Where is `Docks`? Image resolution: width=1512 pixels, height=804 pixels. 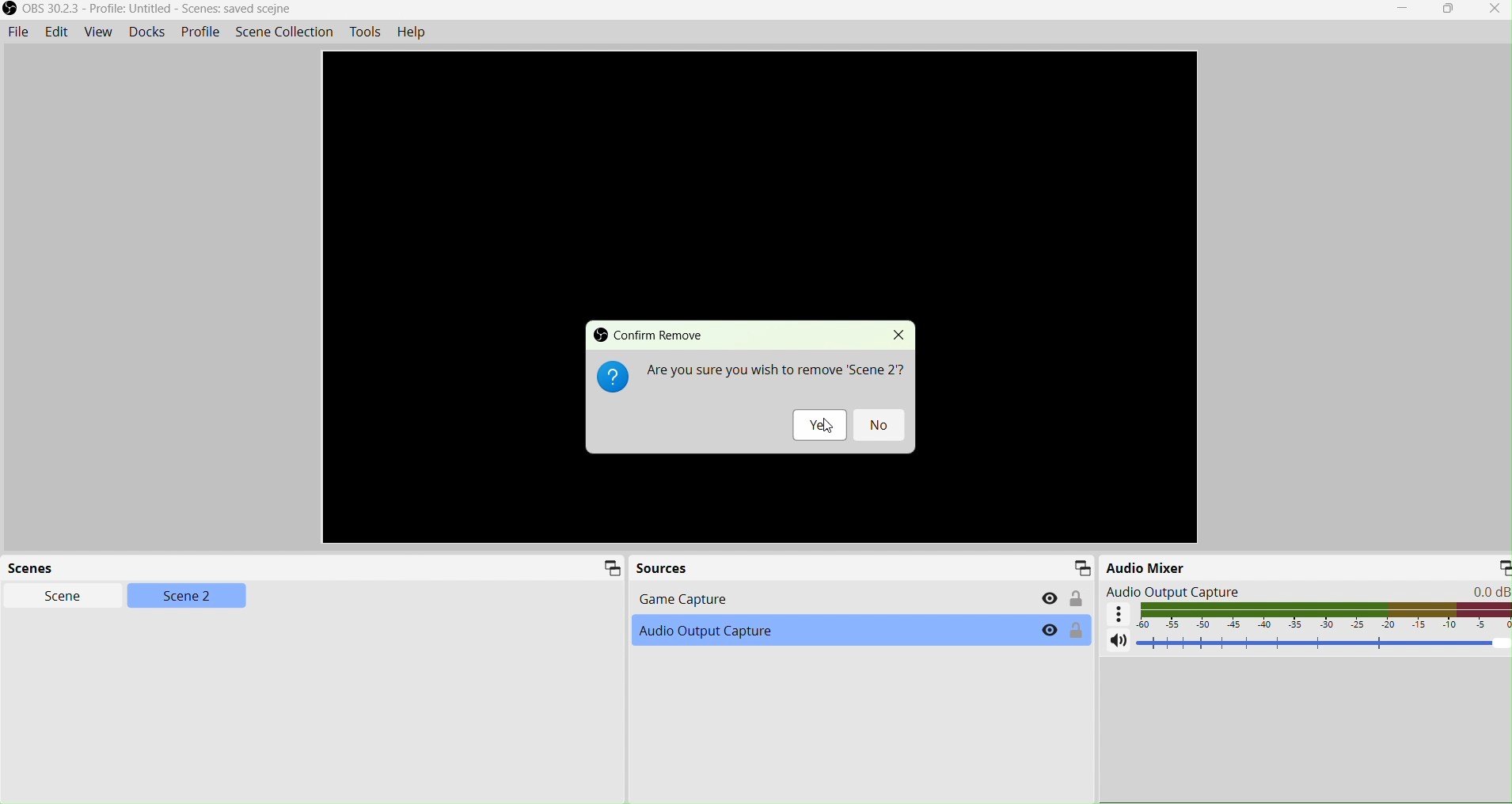 Docks is located at coordinates (147, 31).